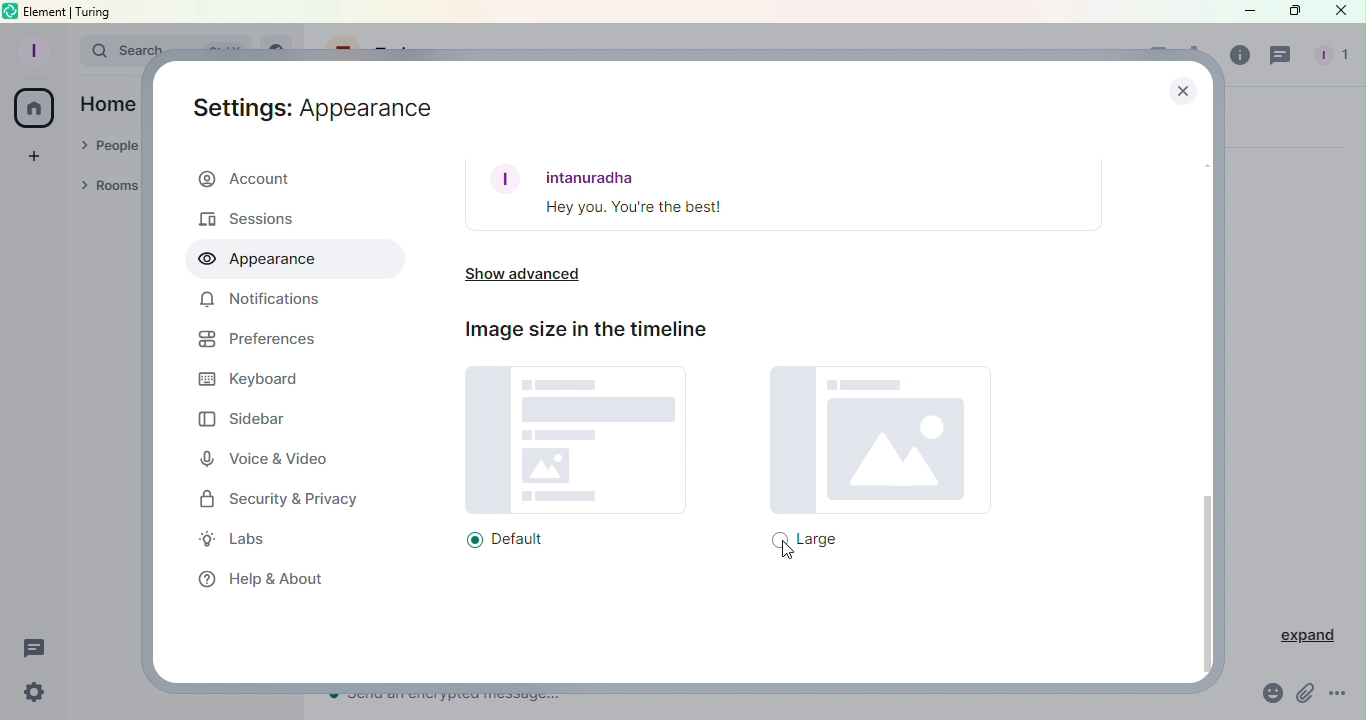 This screenshot has width=1366, height=720. Describe the element at coordinates (35, 110) in the screenshot. I see `Home` at that location.